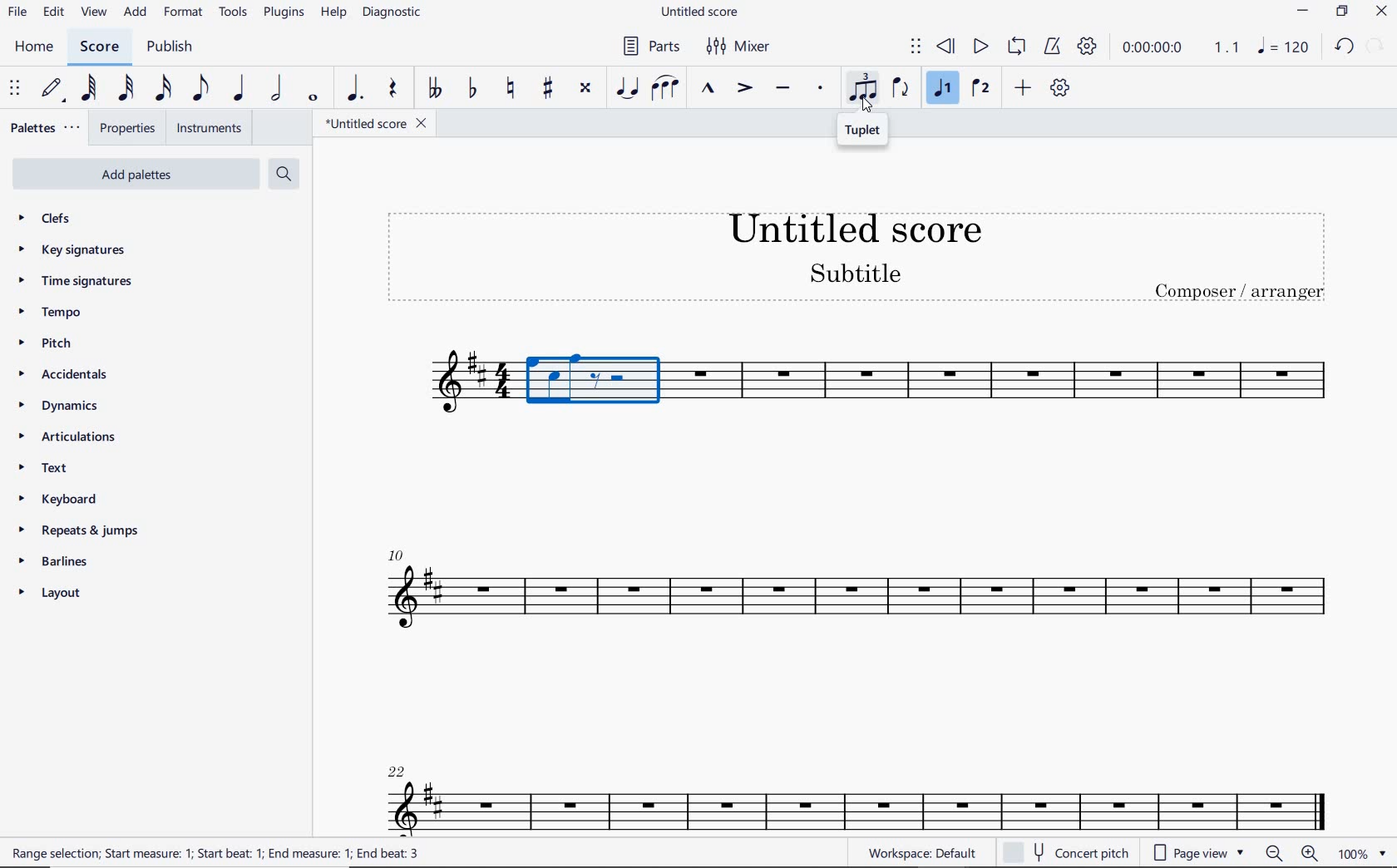 The height and width of the screenshot is (868, 1397). Describe the element at coordinates (237, 89) in the screenshot. I see `QUARTER NOTE` at that location.